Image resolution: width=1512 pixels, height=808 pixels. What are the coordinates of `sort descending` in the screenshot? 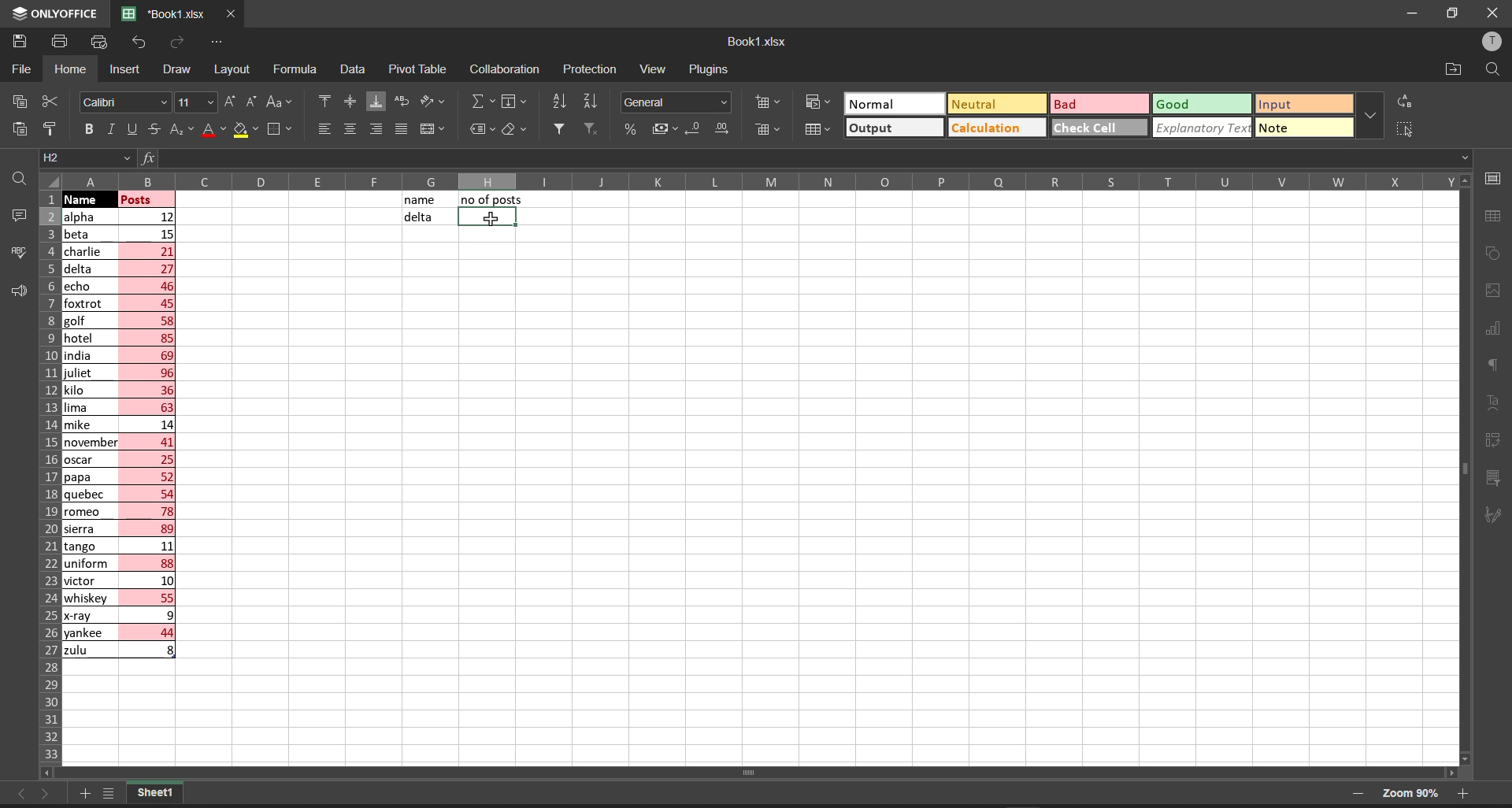 It's located at (594, 102).